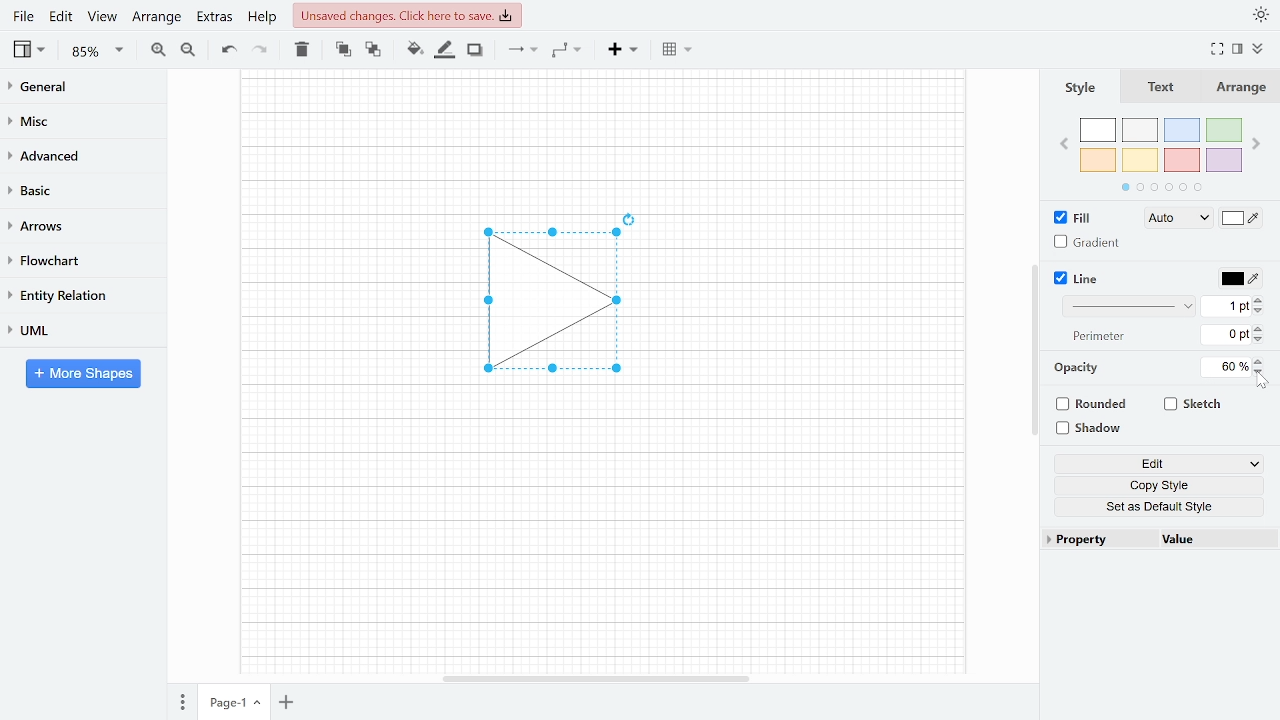  What do you see at coordinates (1141, 159) in the screenshot?
I see `yellow` at bounding box center [1141, 159].